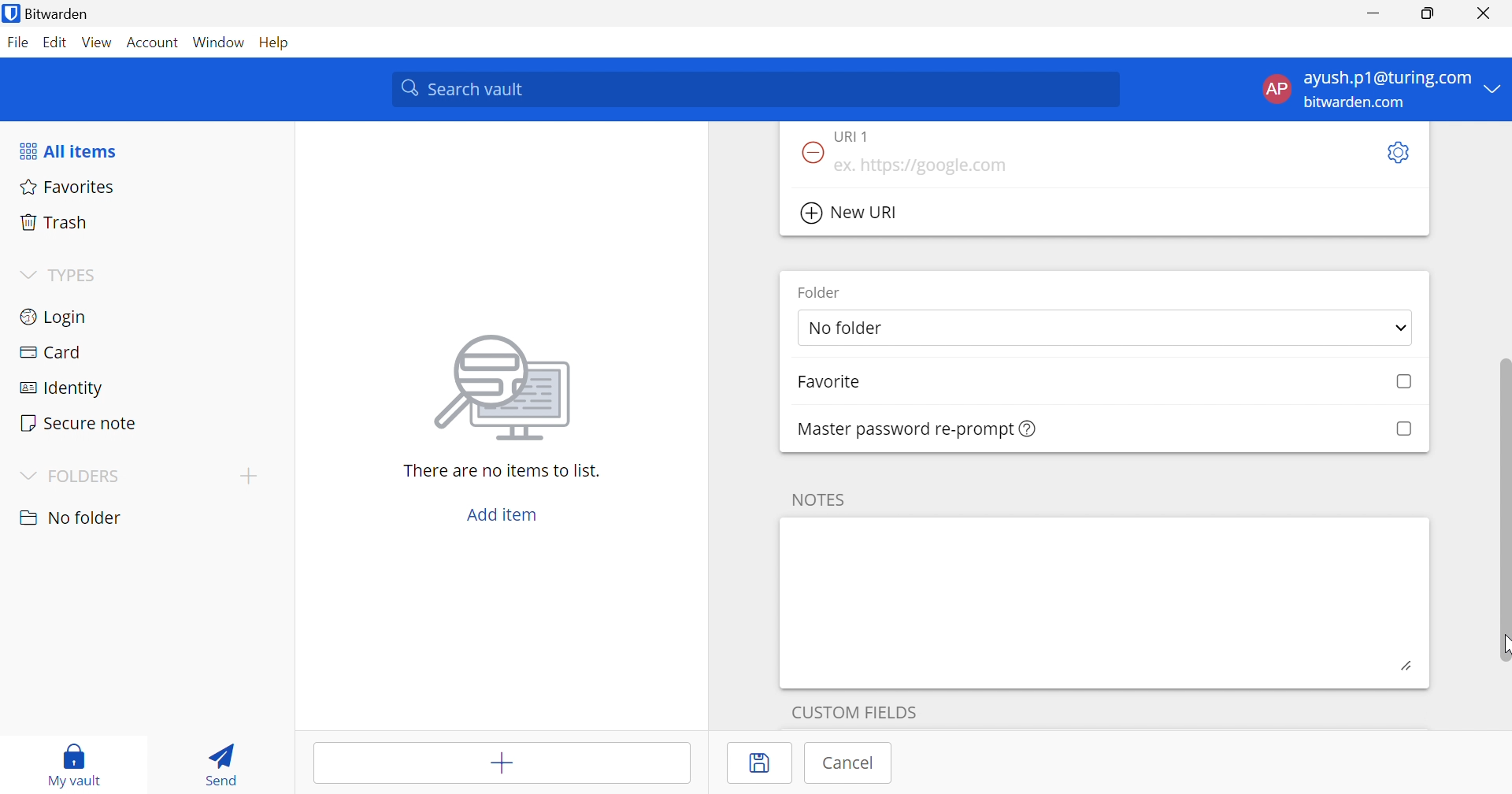  I want to click on Bitwarden, so click(48, 13).